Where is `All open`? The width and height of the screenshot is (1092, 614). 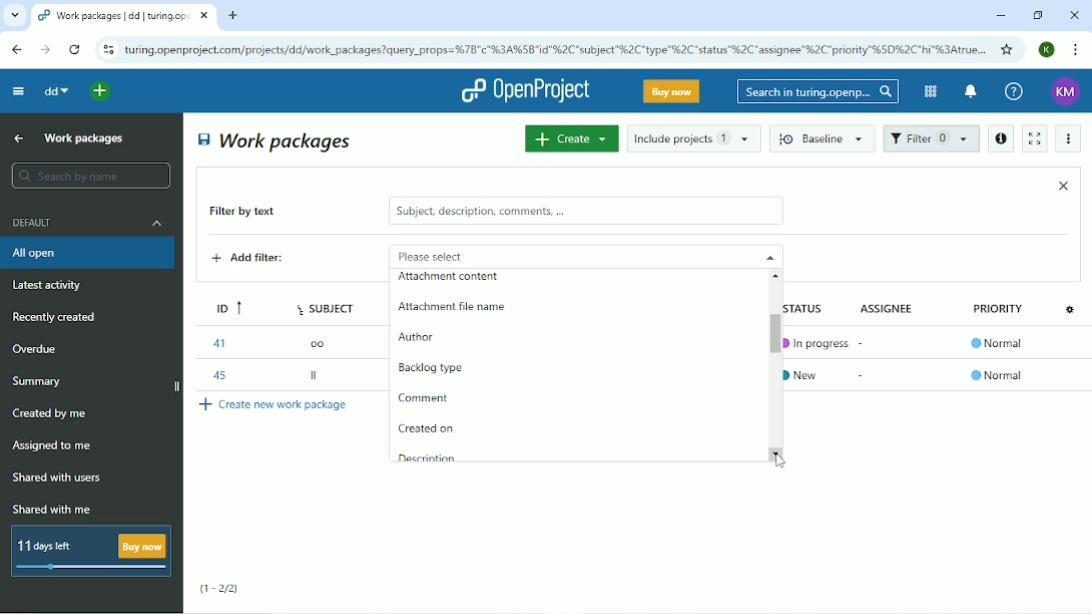
All open is located at coordinates (90, 253).